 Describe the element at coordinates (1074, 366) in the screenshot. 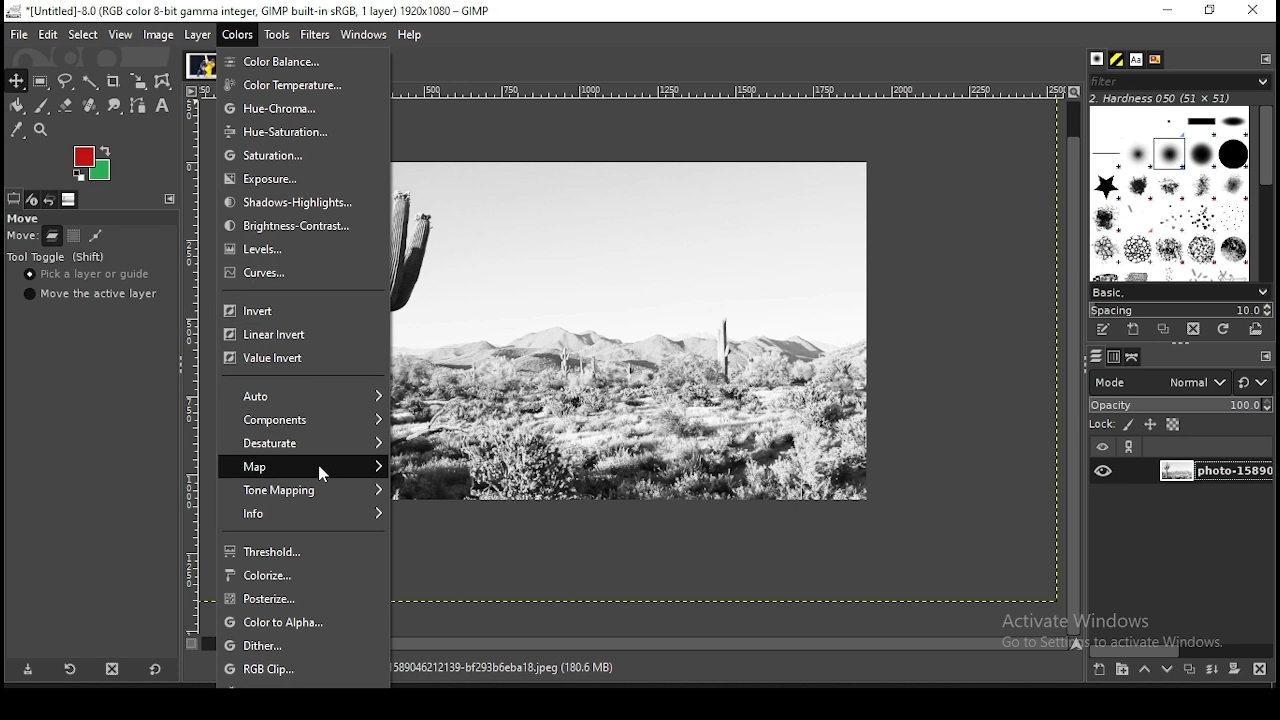

I see `scroll bar` at that location.